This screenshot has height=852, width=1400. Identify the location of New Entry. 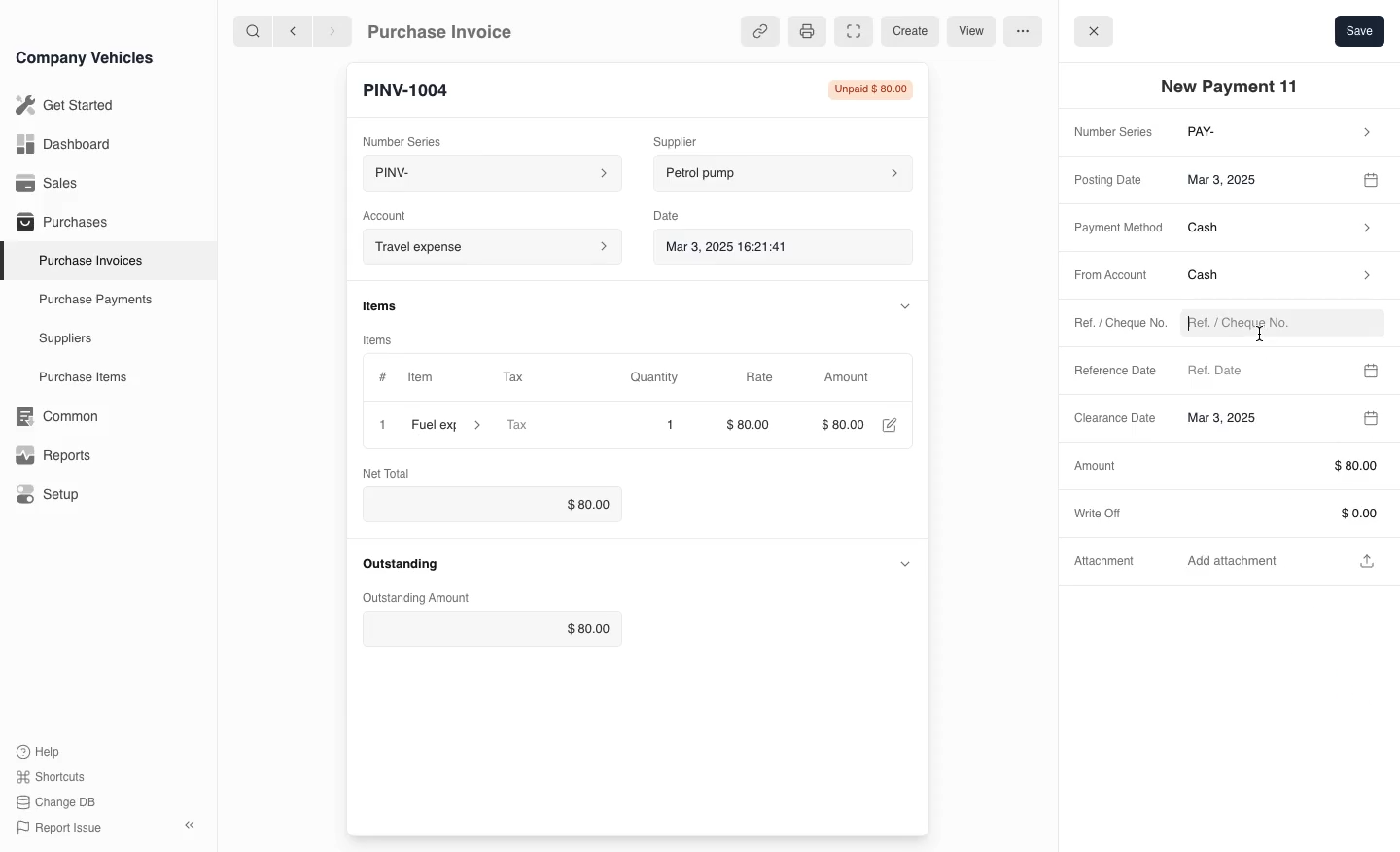
(415, 89).